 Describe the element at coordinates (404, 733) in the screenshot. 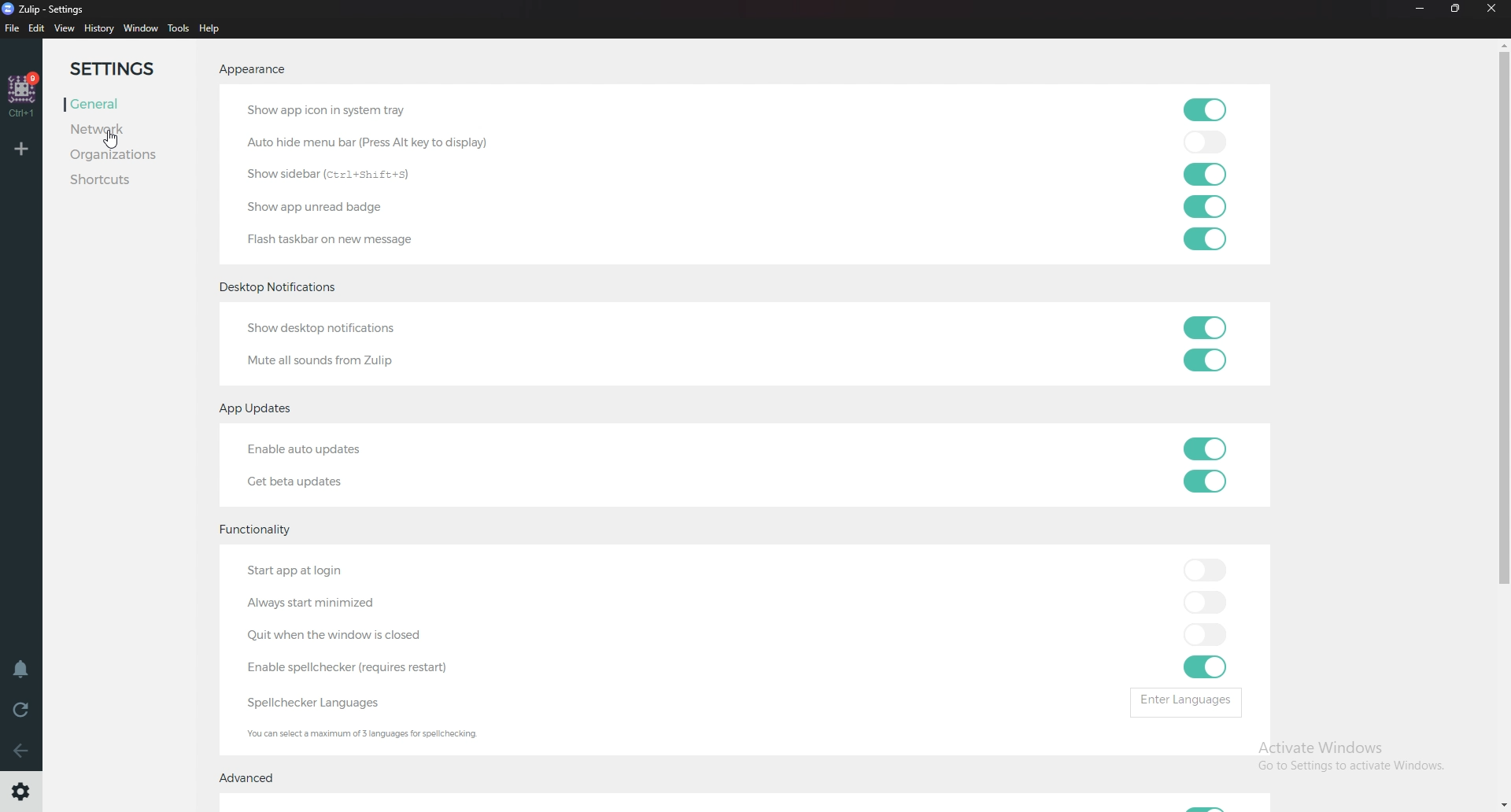

I see `info` at that location.